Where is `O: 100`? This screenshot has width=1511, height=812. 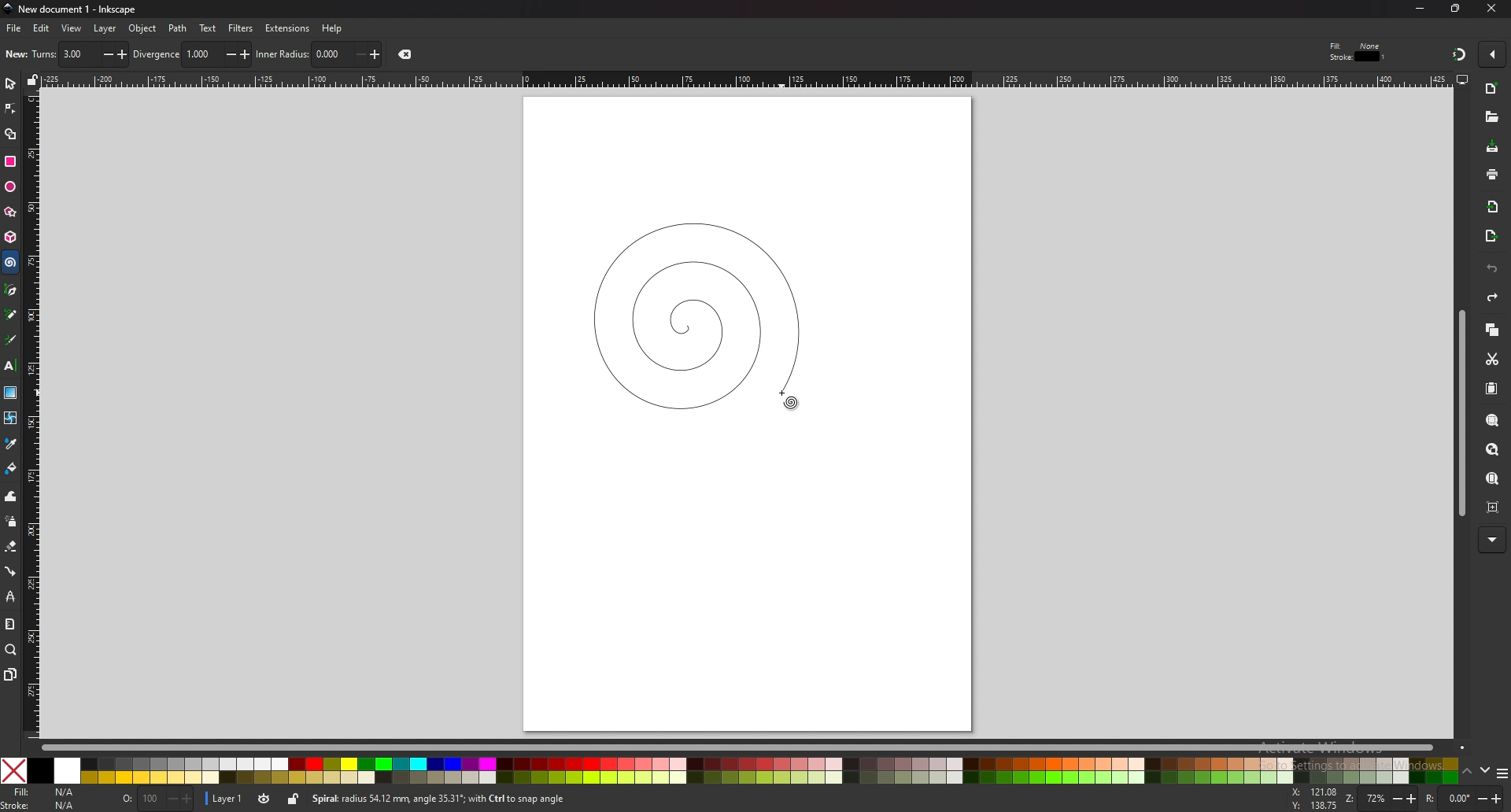 O: 100 is located at coordinates (156, 799).